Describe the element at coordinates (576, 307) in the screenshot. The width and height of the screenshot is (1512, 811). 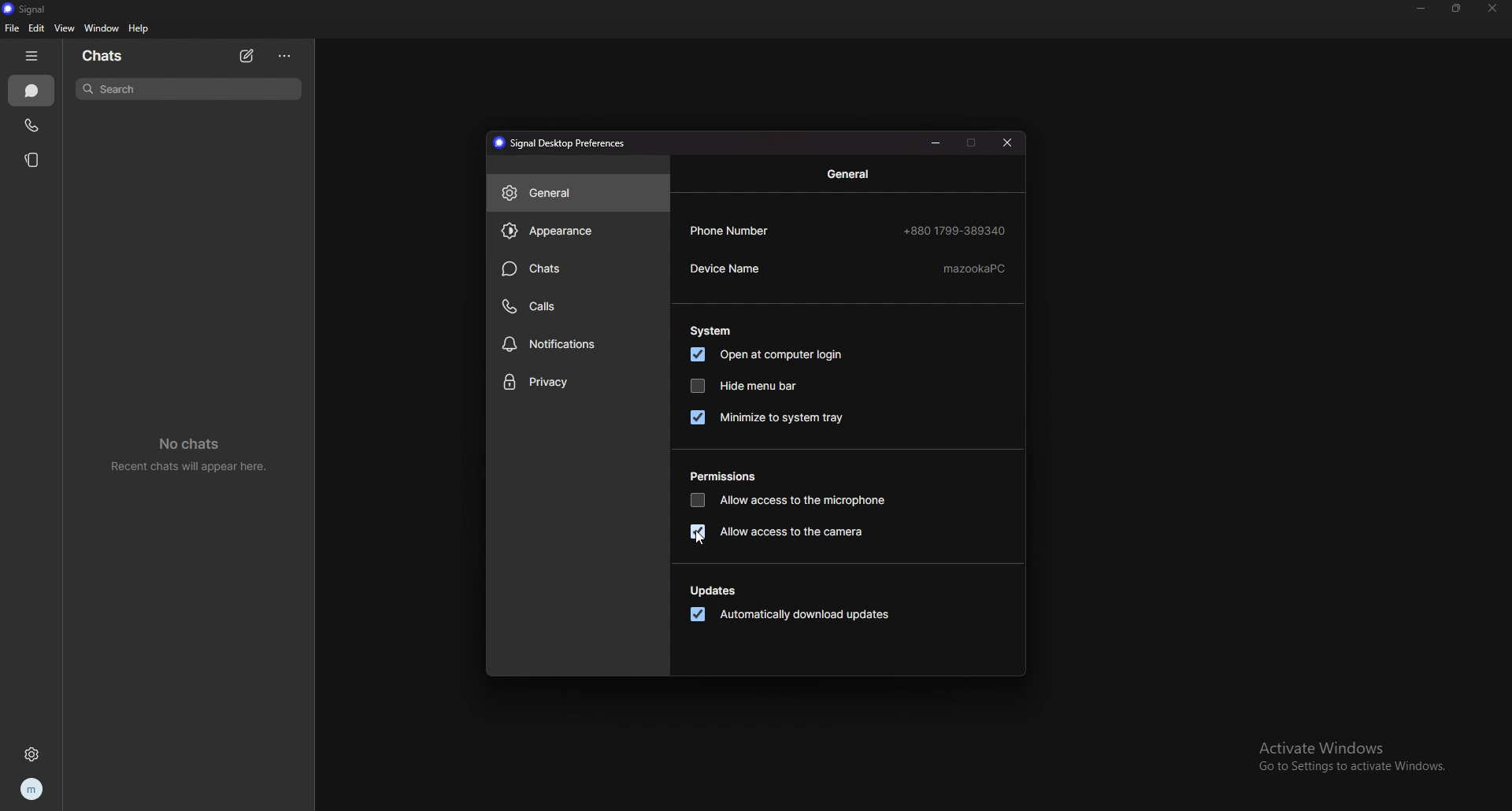
I see `calls` at that location.